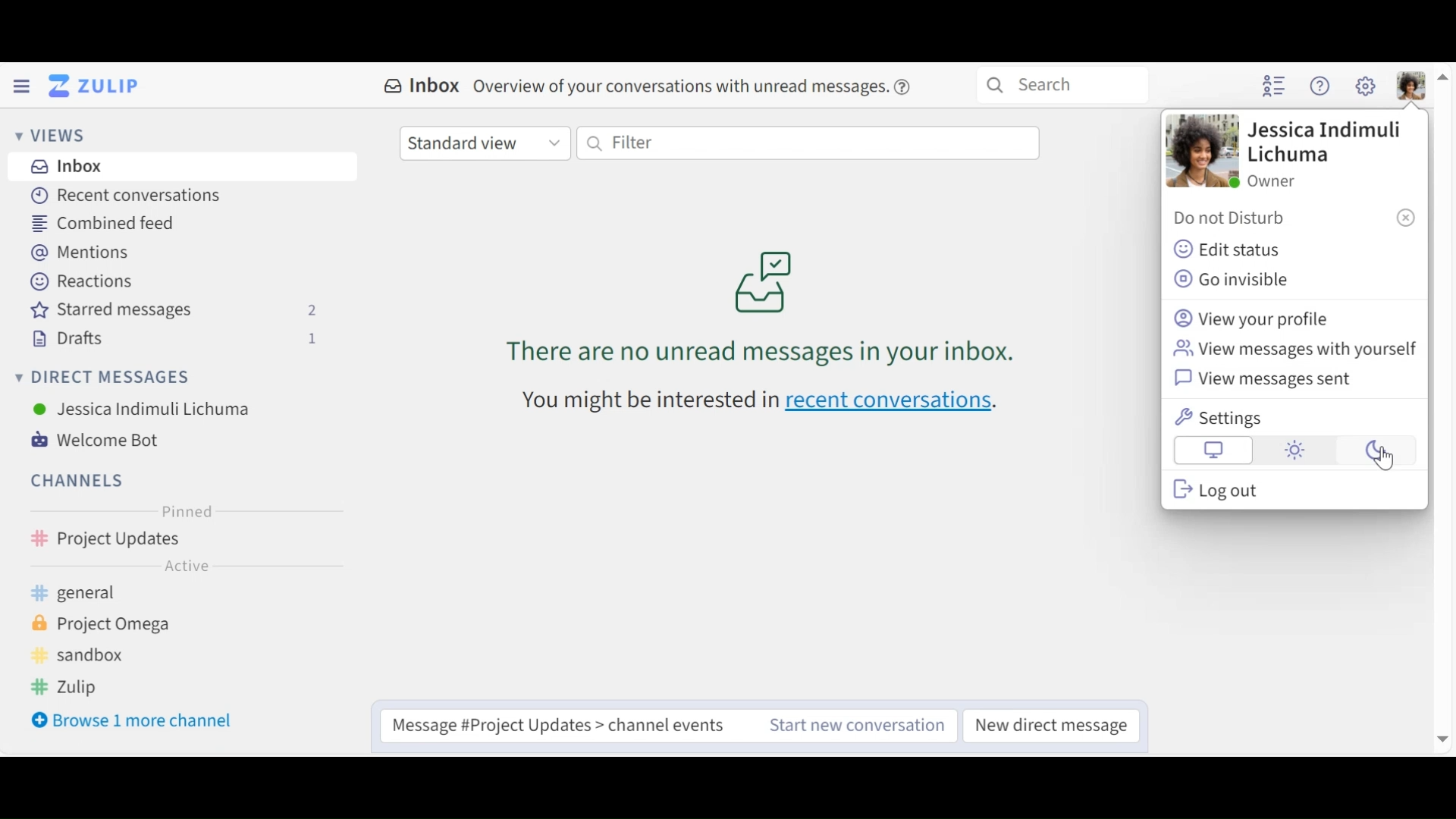  I want to click on Log out, so click(1216, 489).